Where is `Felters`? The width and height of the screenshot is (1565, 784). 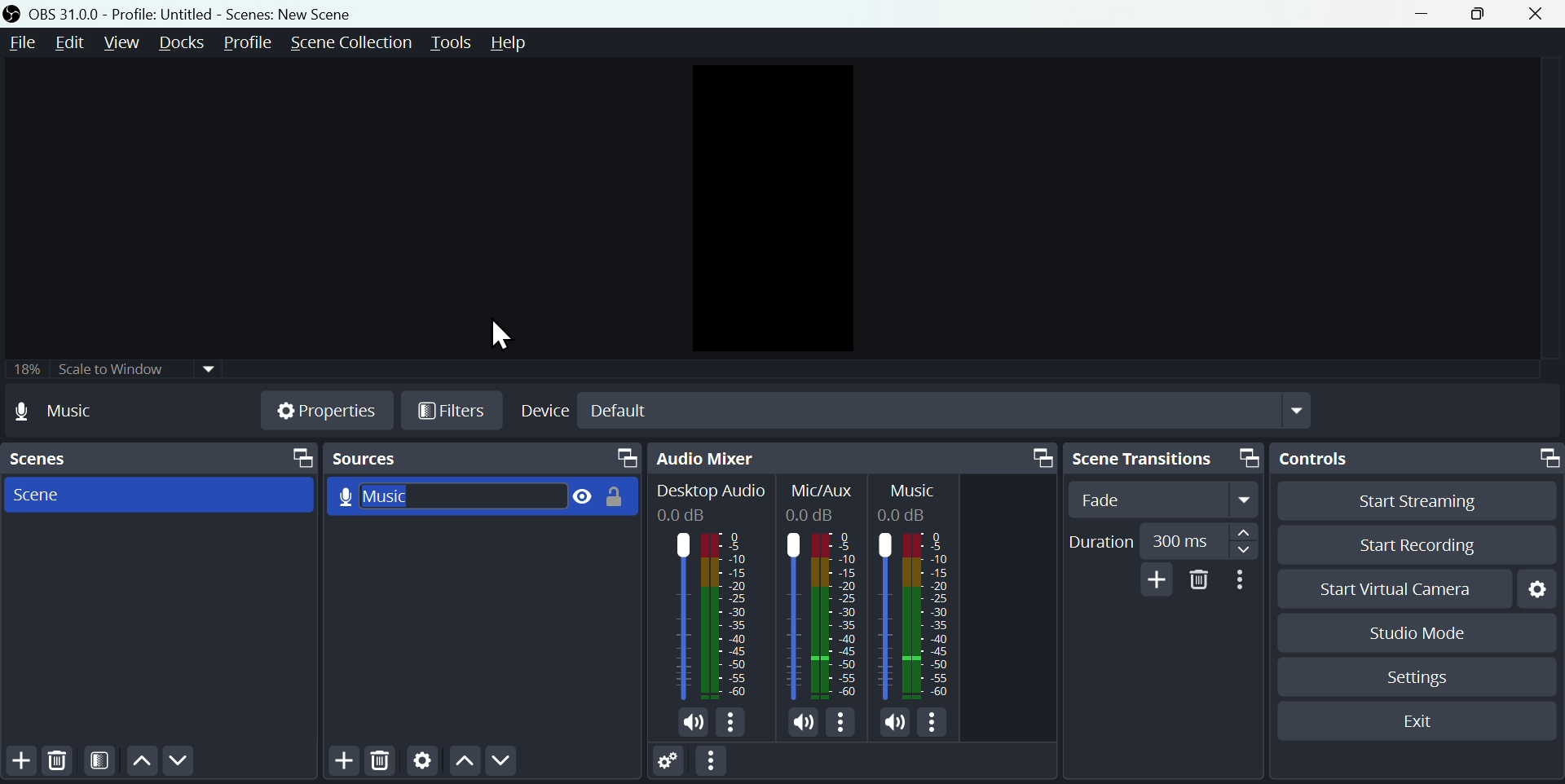
Felters is located at coordinates (103, 760).